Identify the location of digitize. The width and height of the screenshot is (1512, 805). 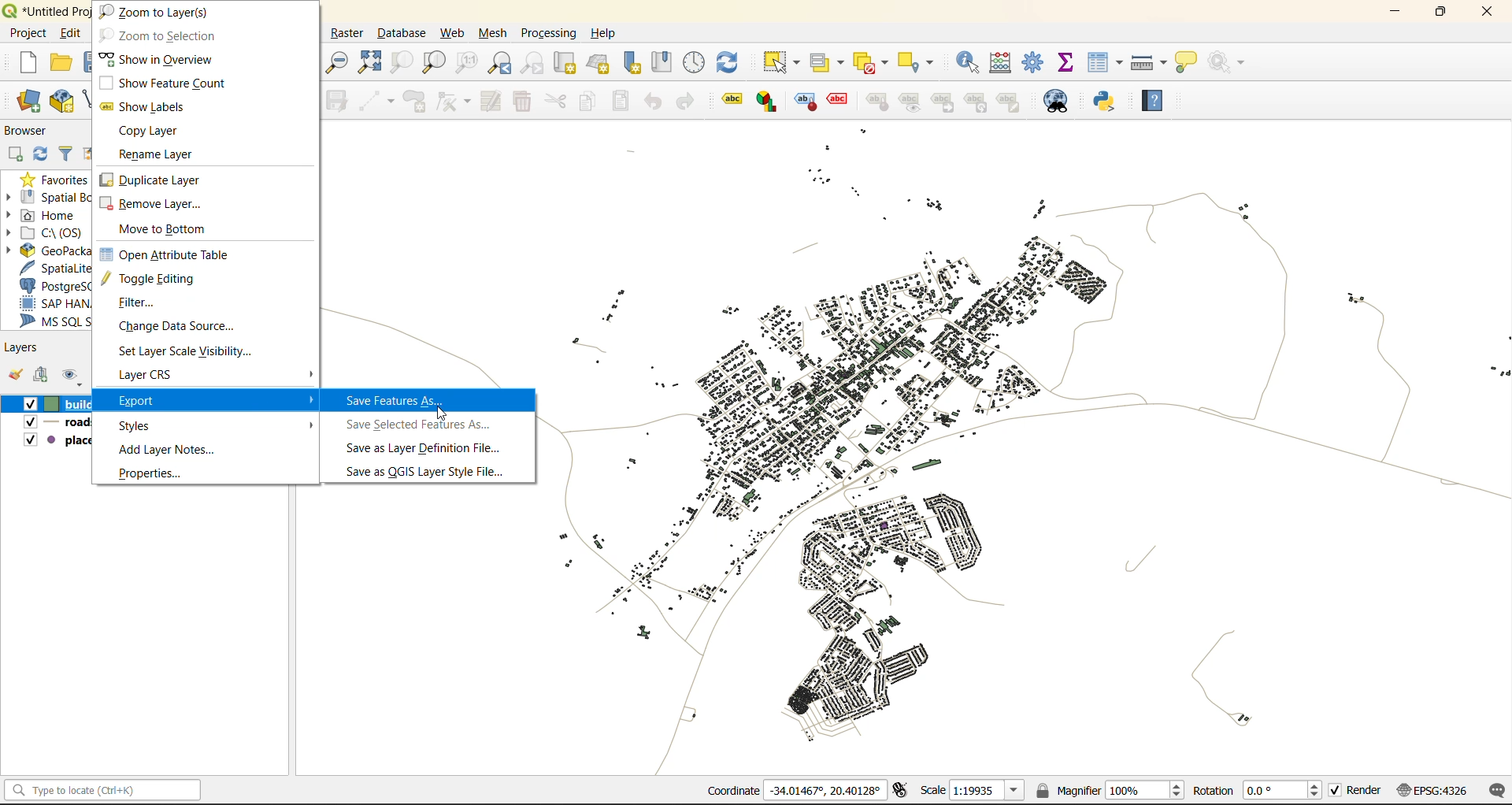
(377, 101).